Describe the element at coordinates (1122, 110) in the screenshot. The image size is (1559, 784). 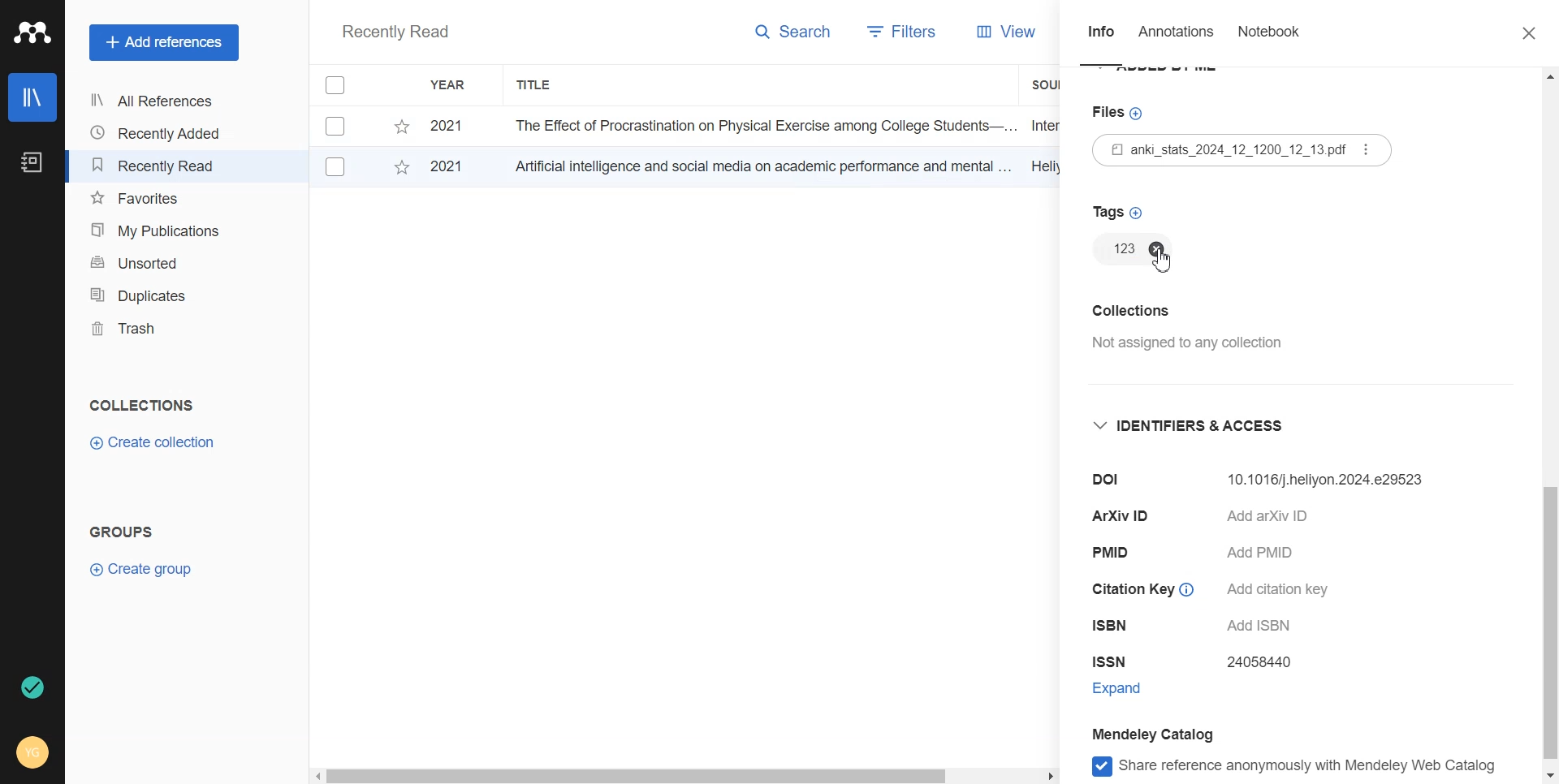
I see `Files` at that location.